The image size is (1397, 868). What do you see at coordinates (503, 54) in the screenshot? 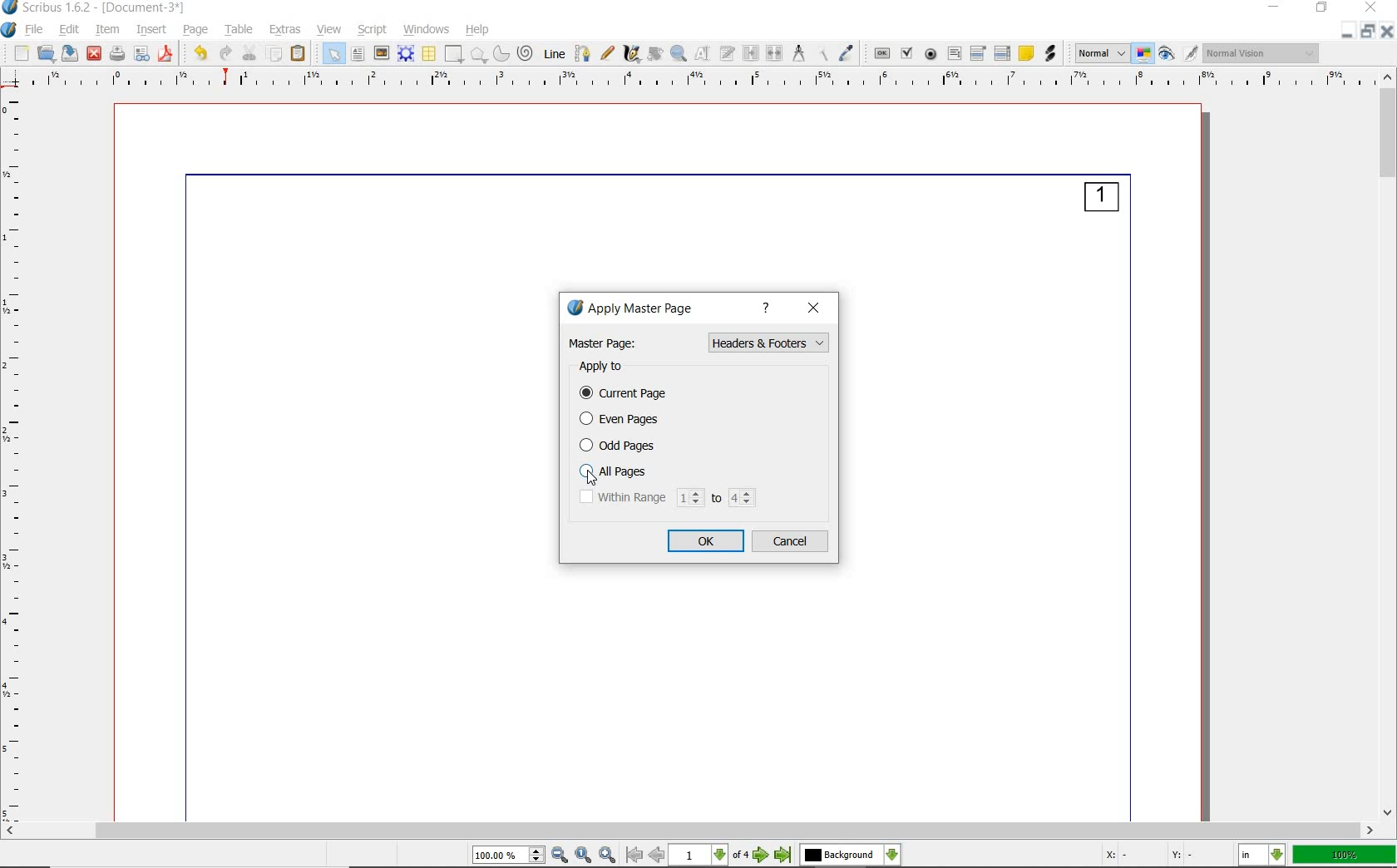
I see `arc` at bounding box center [503, 54].